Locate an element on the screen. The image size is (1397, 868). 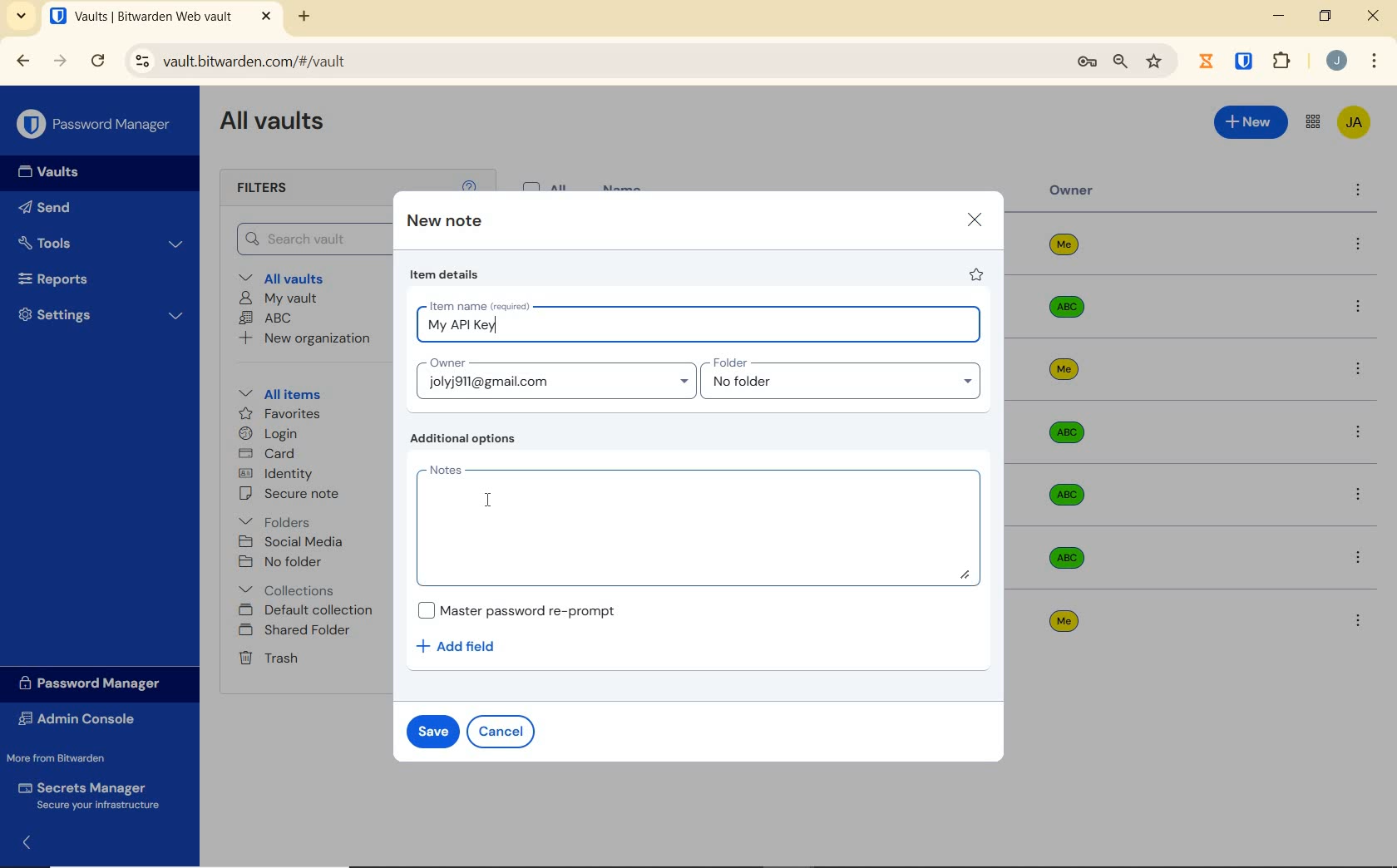
folders is located at coordinates (277, 522).